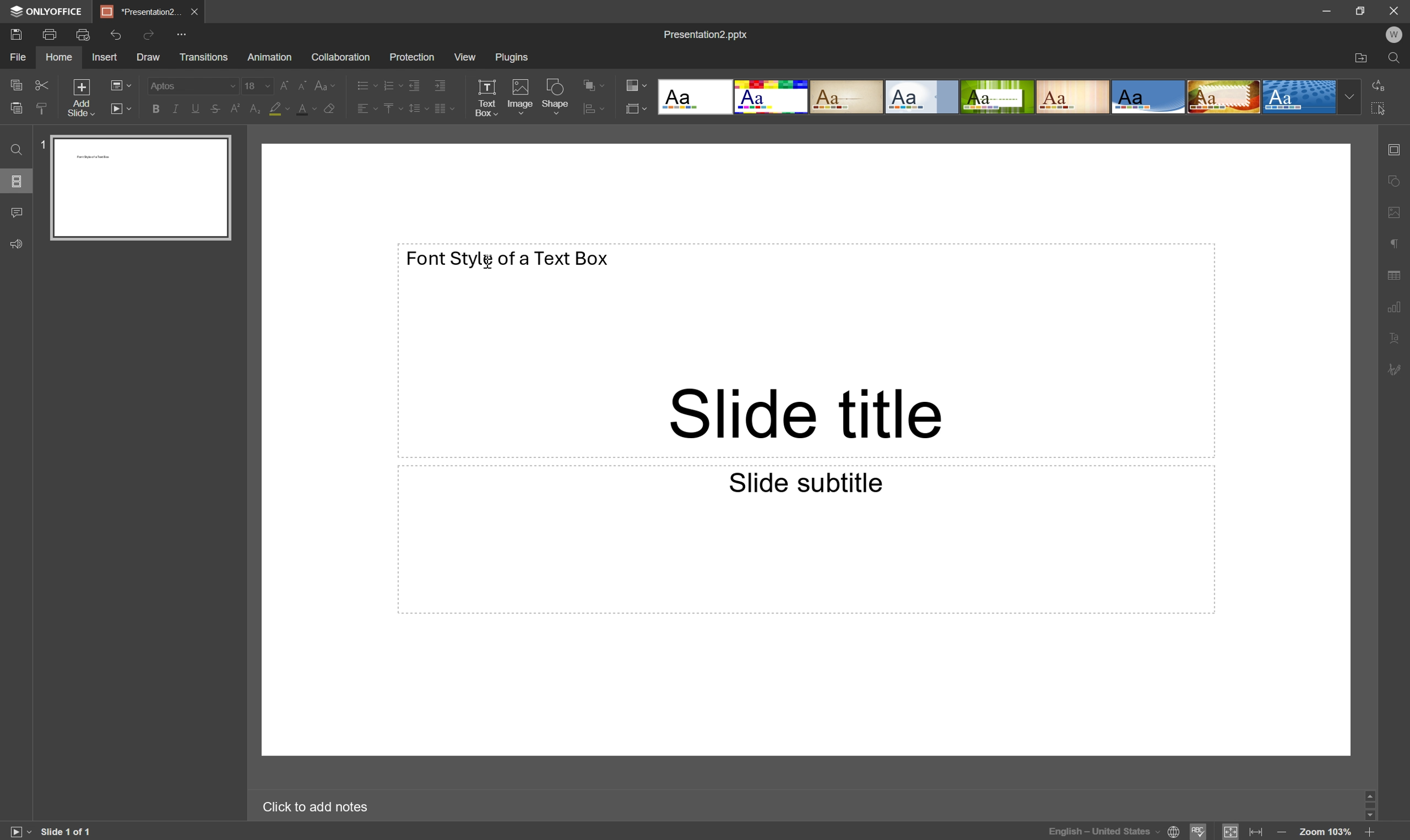  What do you see at coordinates (280, 108) in the screenshot?
I see `Highlight color` at bounding box center [280, 108].